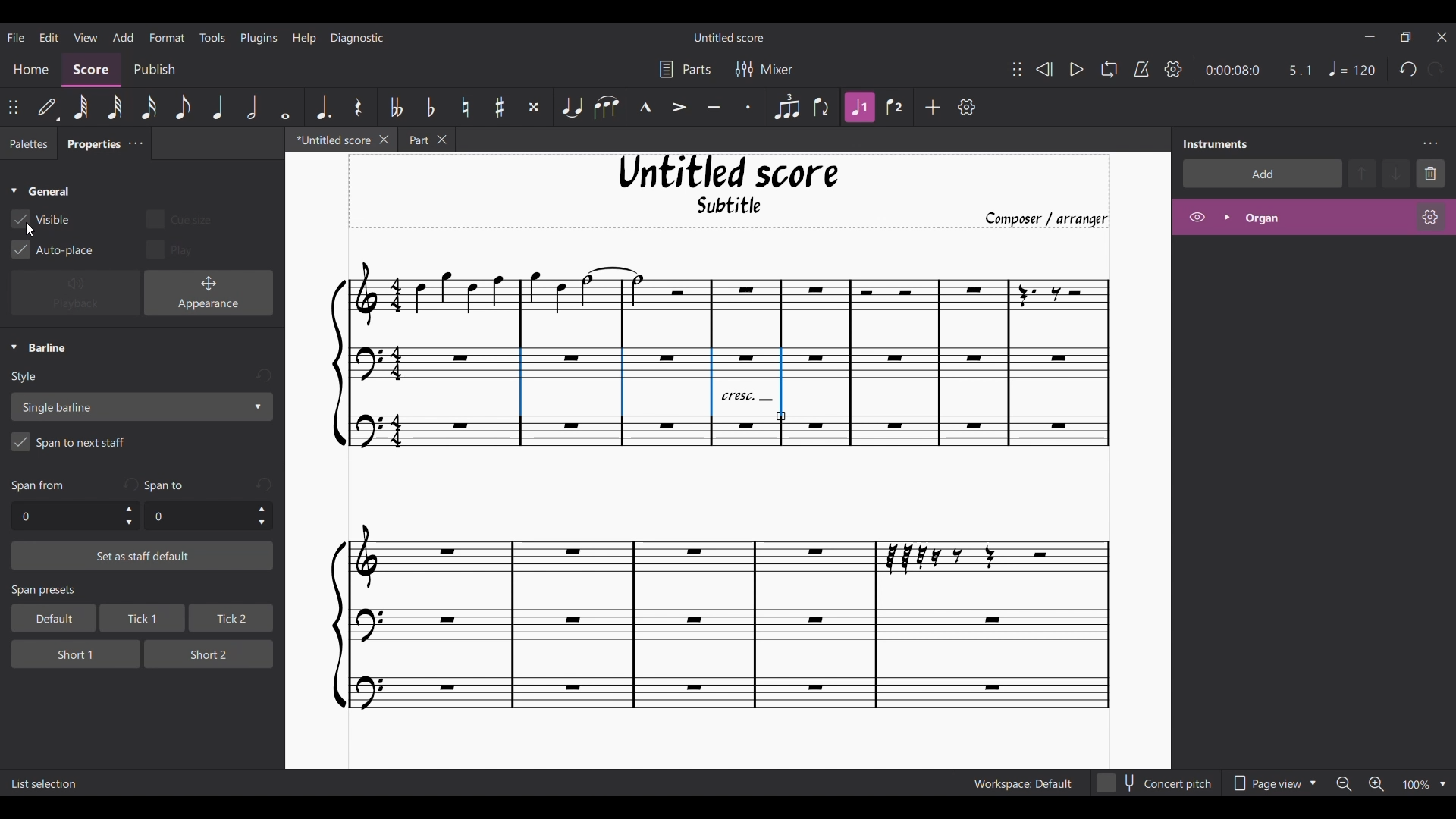  Describe the element at coordinates (1376, 785) in the screenshot. I see `Zoom in` at that location.